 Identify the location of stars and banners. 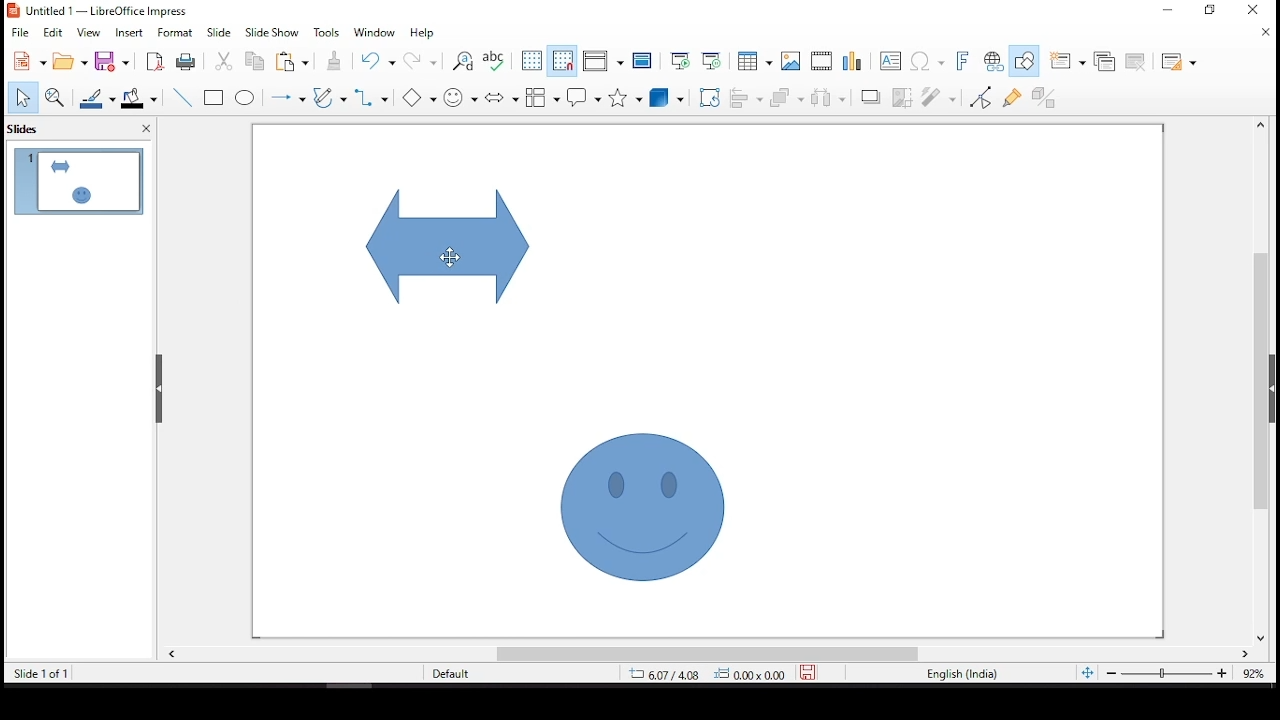
(623, 96).